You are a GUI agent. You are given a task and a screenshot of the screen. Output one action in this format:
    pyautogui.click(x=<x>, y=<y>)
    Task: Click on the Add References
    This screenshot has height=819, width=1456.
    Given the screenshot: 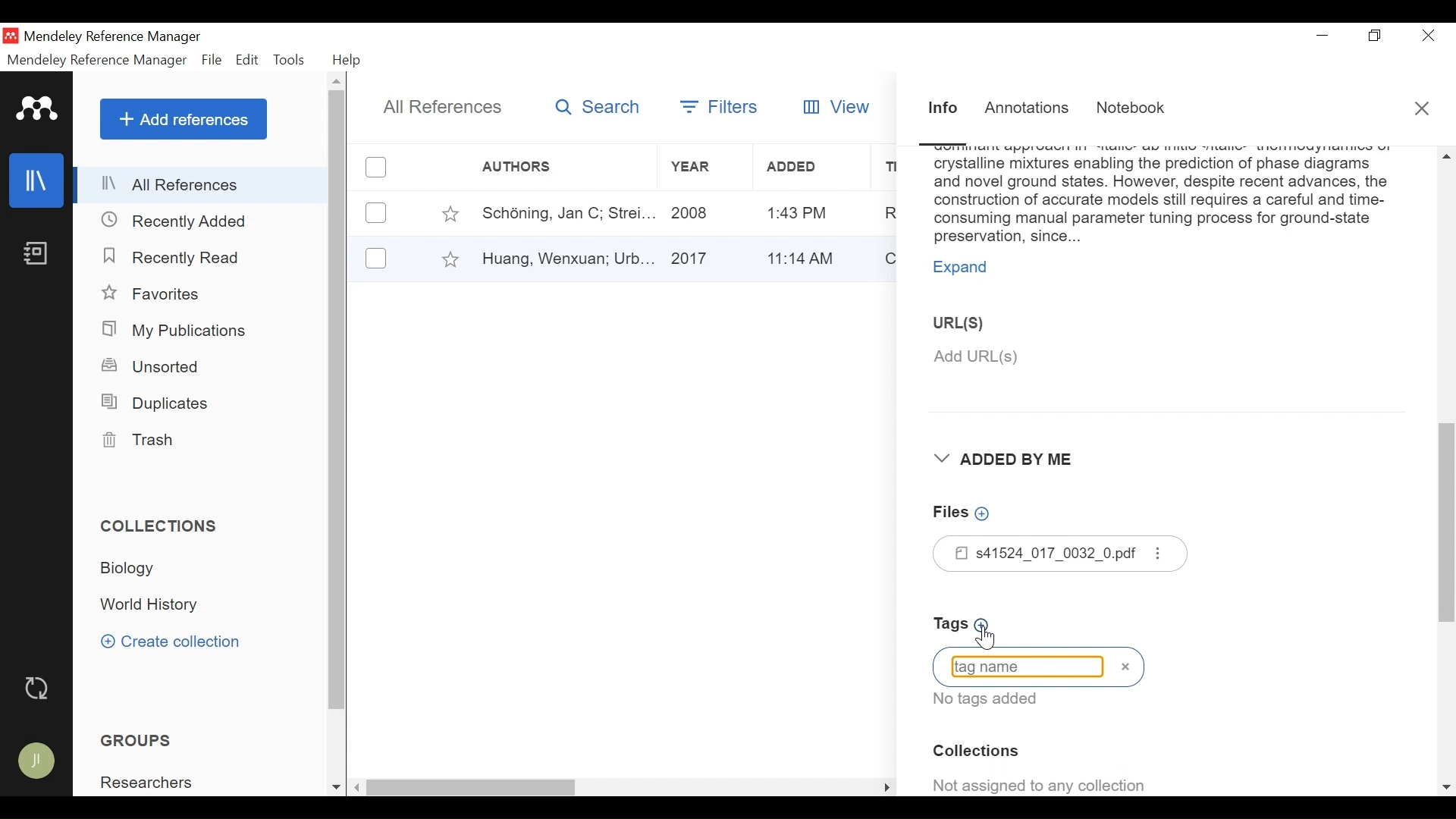 What is the action you would take?
    pyautogui.click(x=184, y=119)
    